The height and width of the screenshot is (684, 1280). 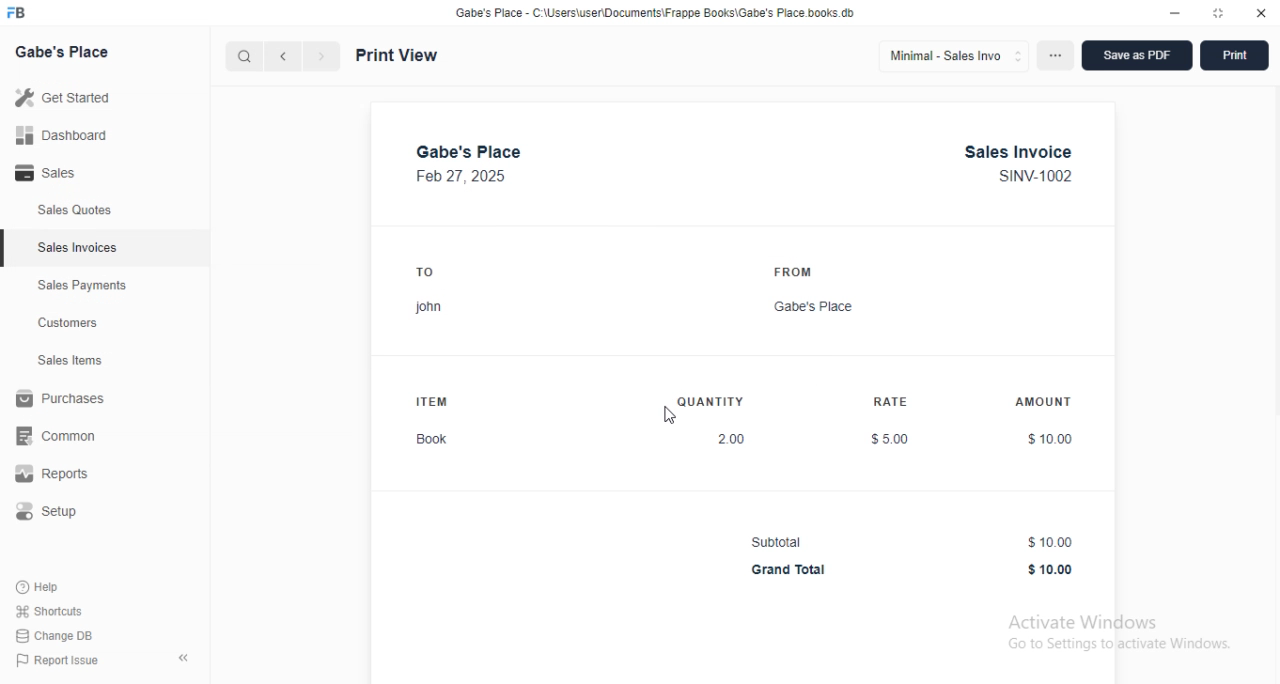 I want to click on Book, so click(x=433, y=439).